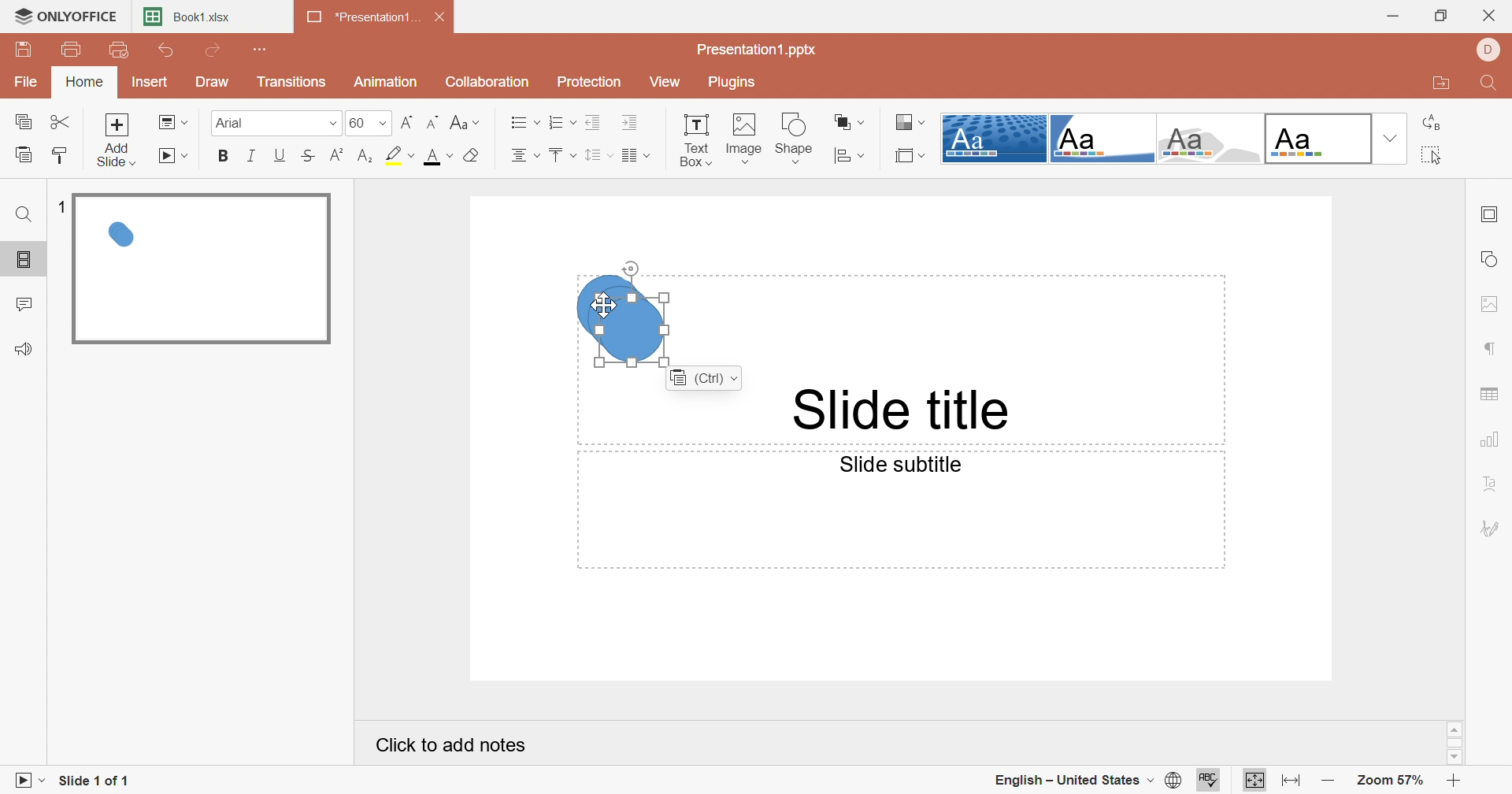 Image resolution: width=1512 pixels, height=794 pixels. Describe the element at coordinates (525, 155) in the screenshot. I see `Horizontal align` at that location.